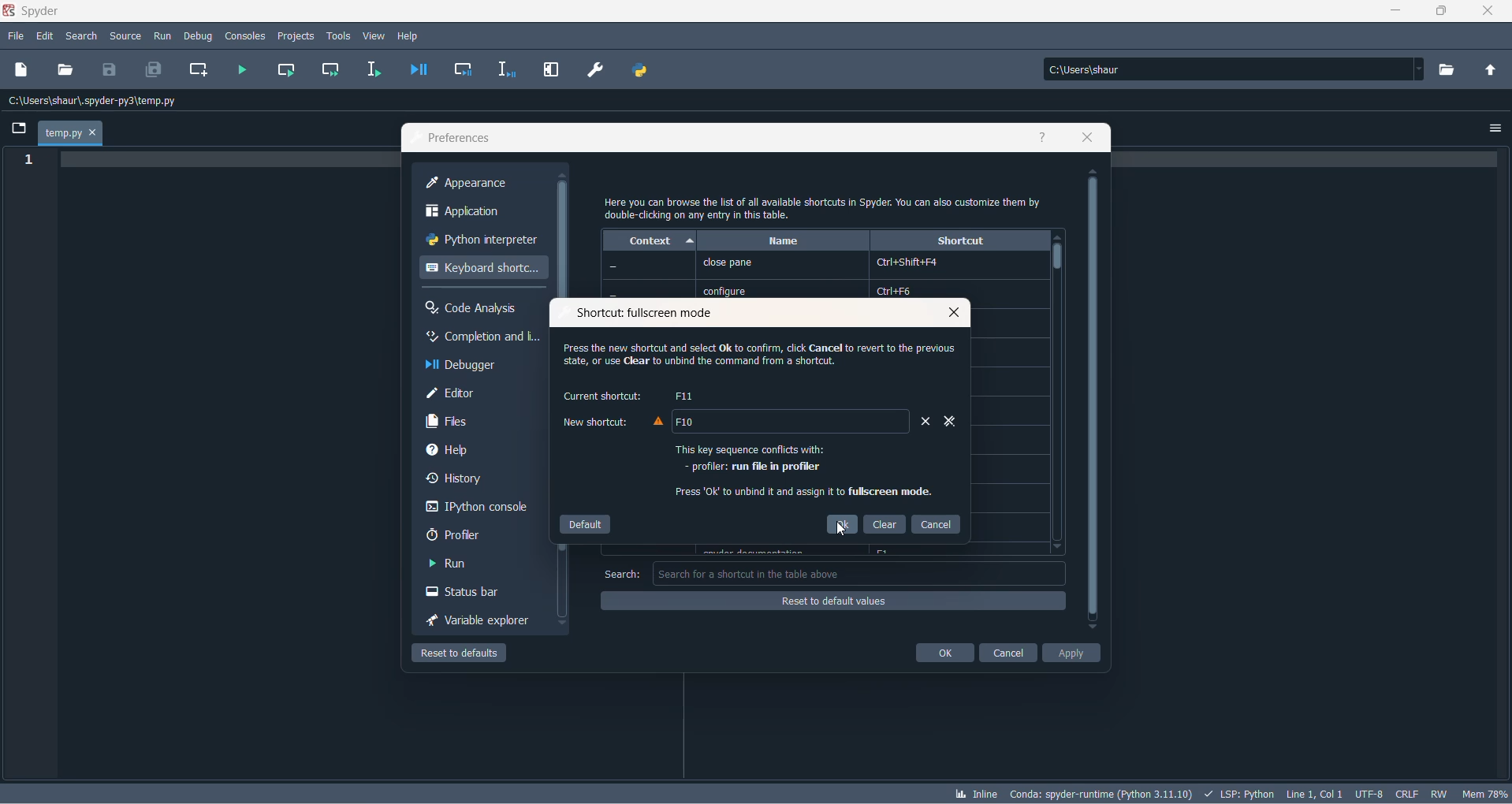  I want to click on variable exploreer, so click(478, 623).